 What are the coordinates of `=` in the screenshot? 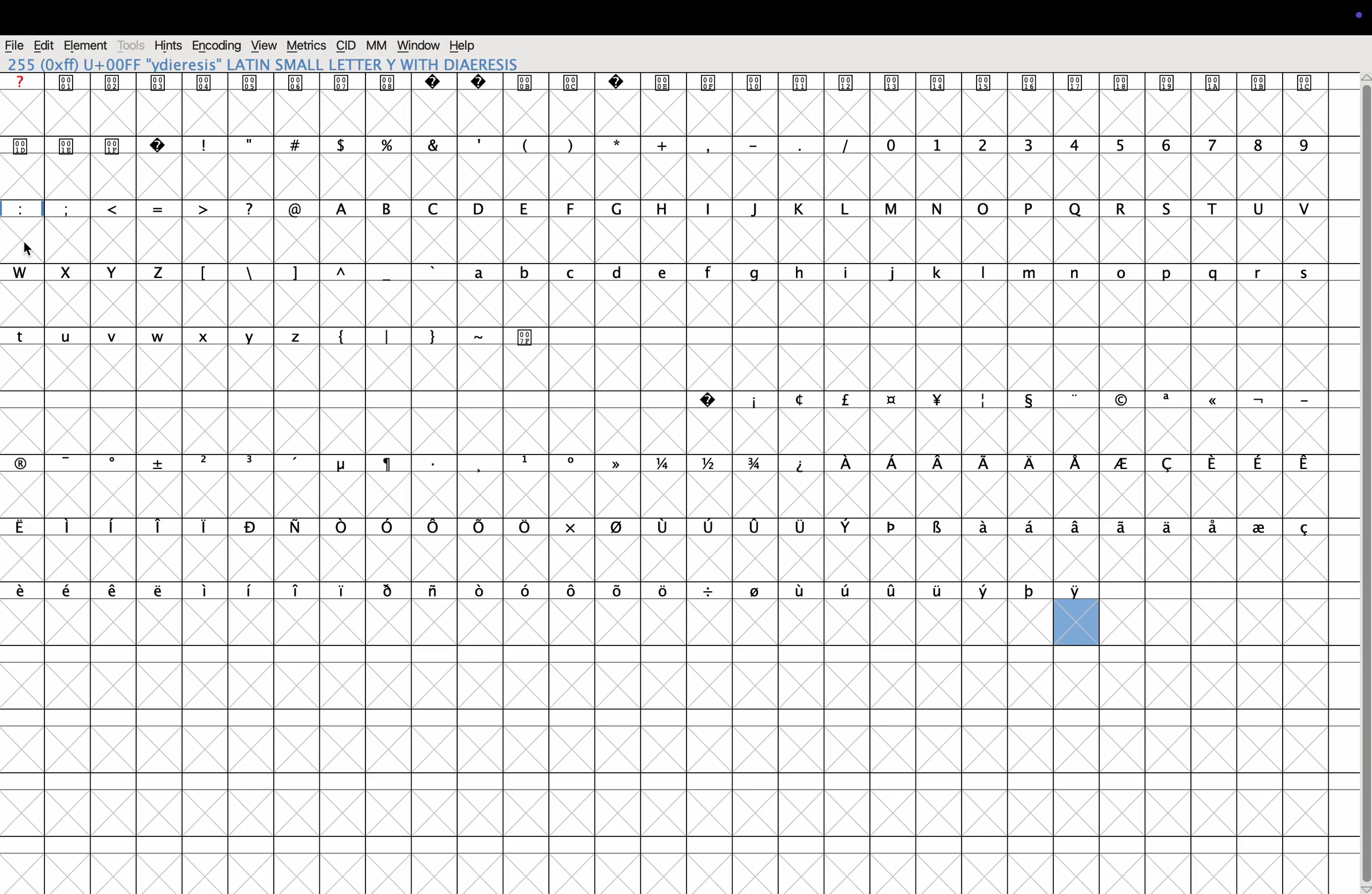 It's located at (160, 232).